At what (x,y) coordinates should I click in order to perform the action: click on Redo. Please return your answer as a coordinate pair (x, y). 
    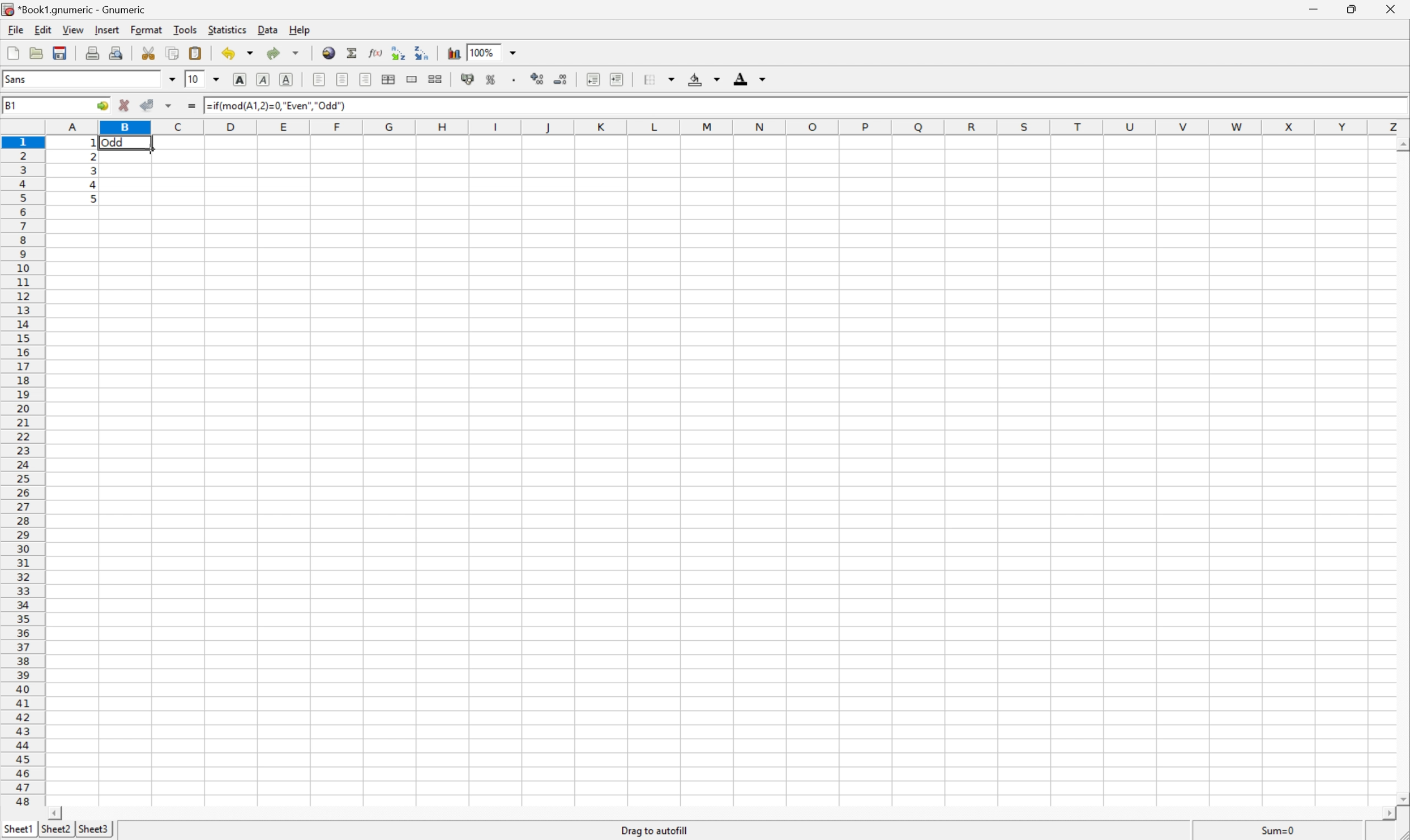
    Looking at the image, I should click on (288, 52).